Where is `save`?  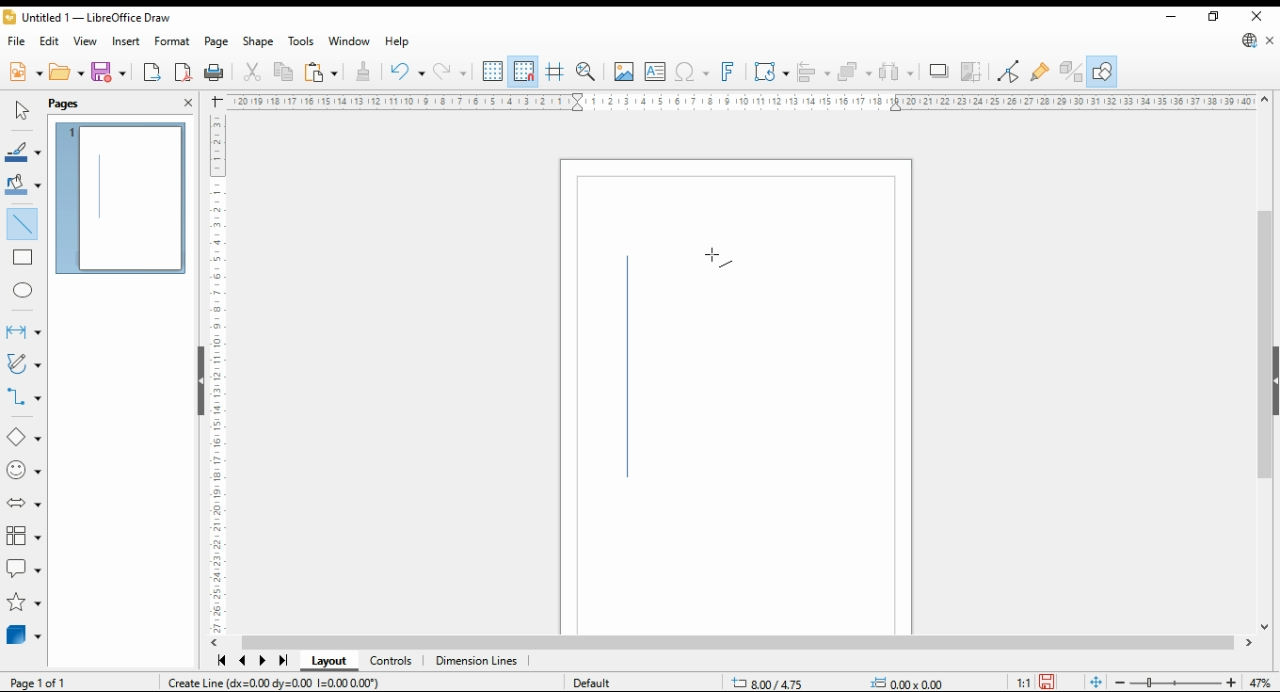 save is located at coordinates (1048, 682).